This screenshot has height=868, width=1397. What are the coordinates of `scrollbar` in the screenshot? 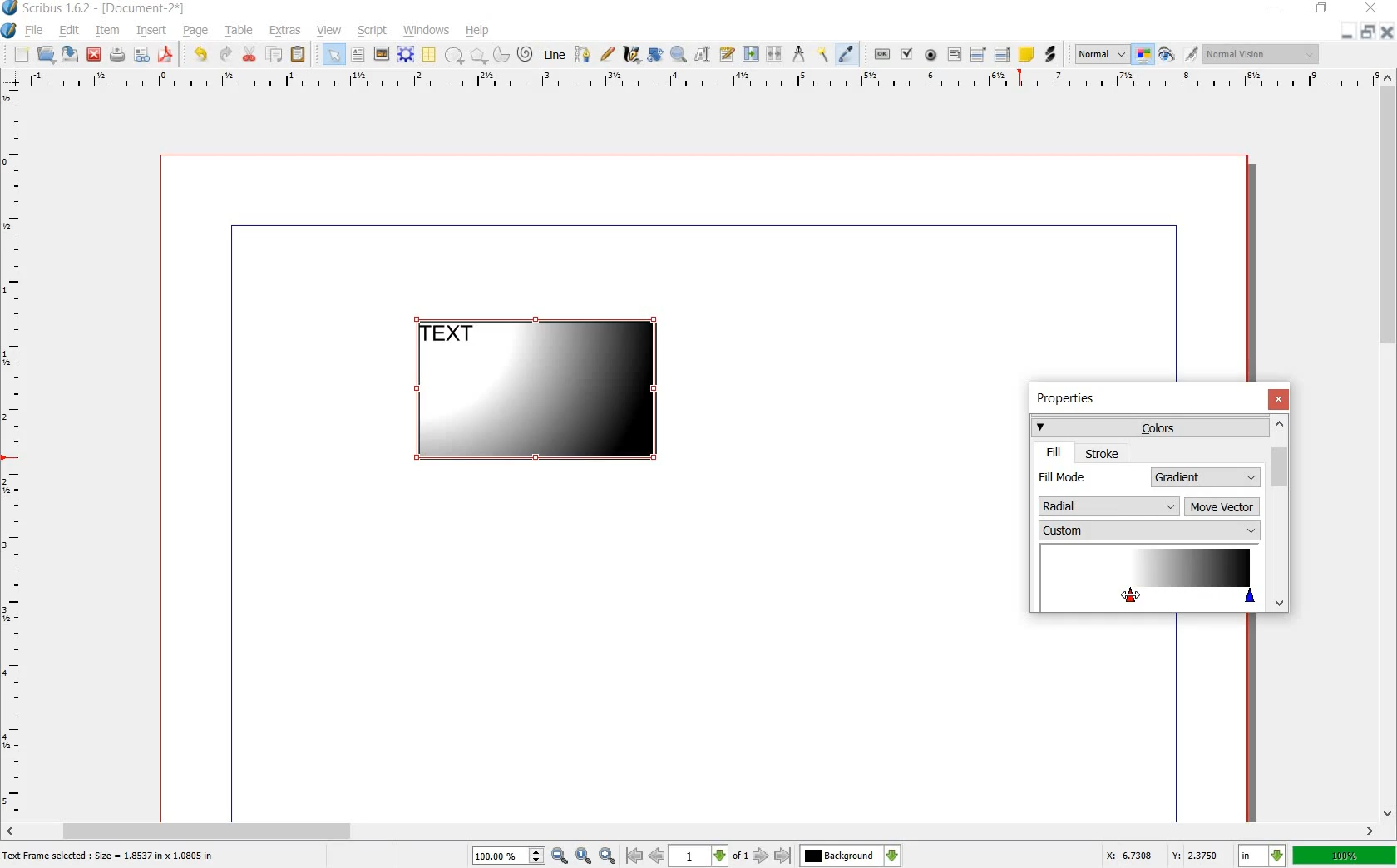 It's located at (1279, 513).